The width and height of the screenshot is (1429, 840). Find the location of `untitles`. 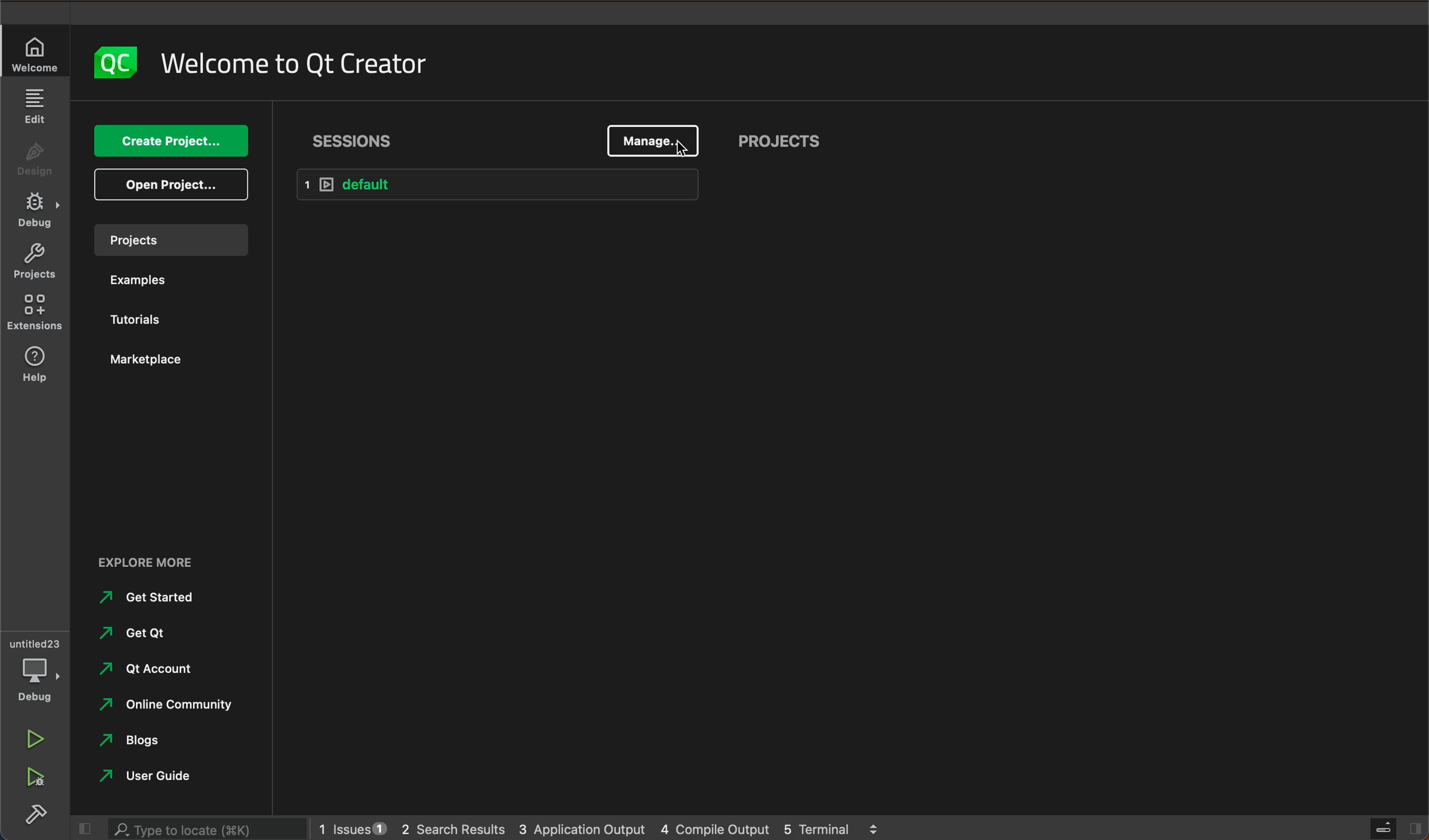

untitles is located at coordinates (38, 642).